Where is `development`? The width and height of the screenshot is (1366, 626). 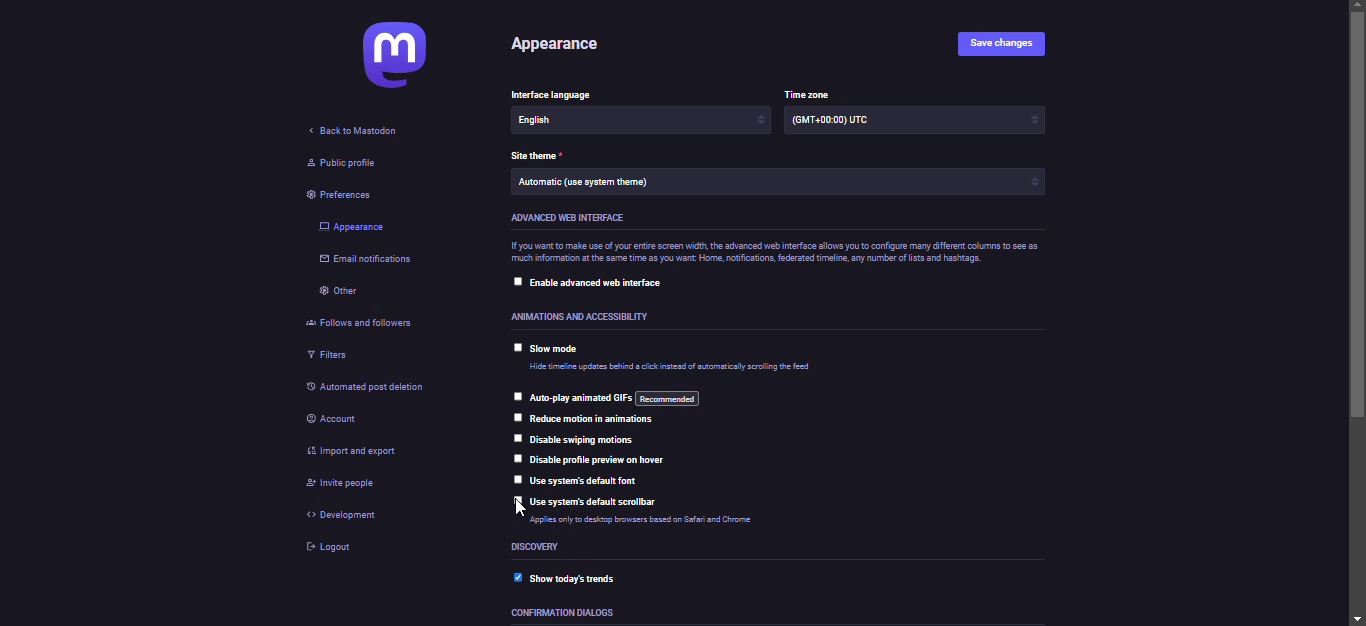 development is located at coordinates (343, 516).